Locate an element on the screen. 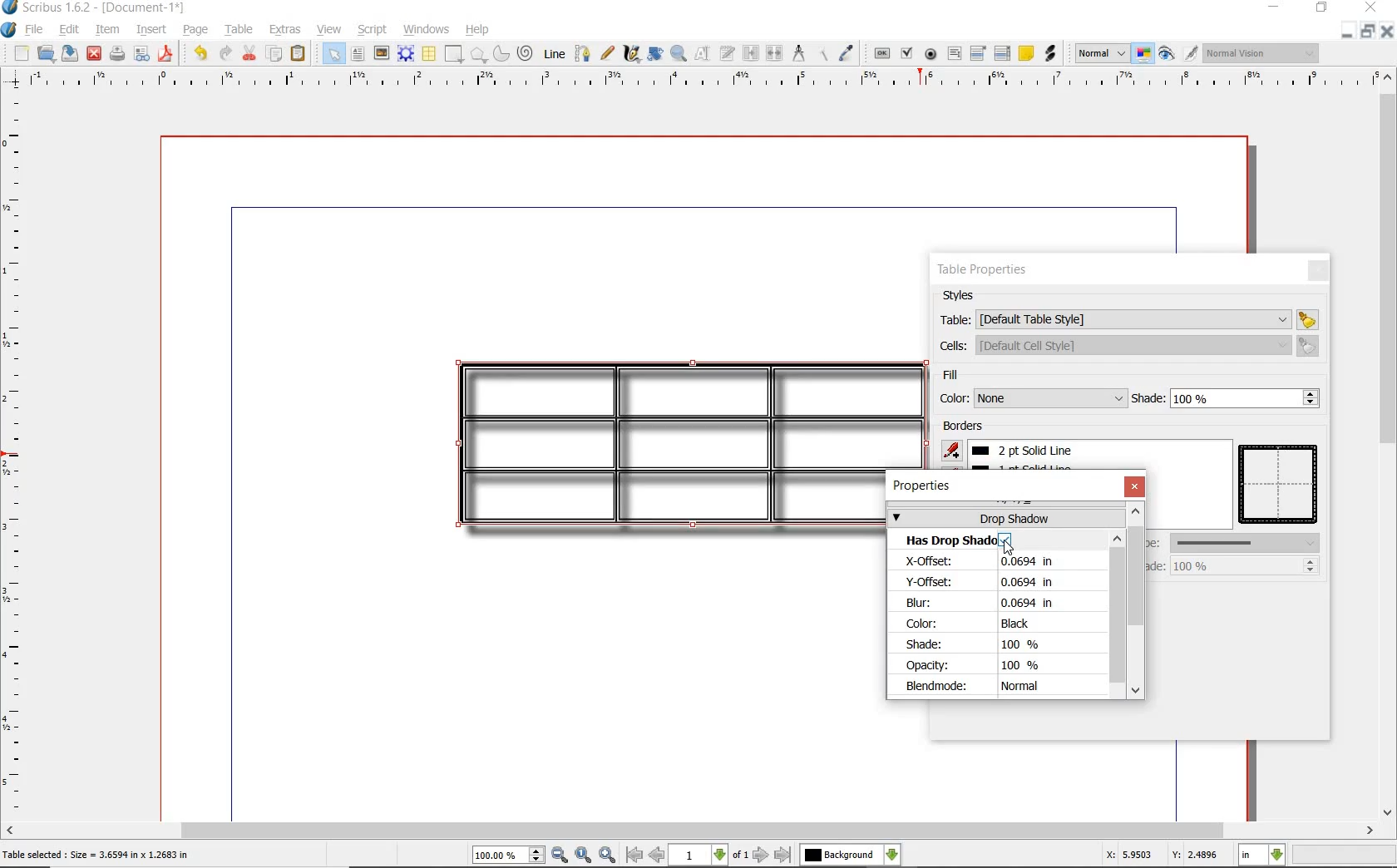 This screenshot has height=868, width=1397. borders is located at coordinates (966, 427).